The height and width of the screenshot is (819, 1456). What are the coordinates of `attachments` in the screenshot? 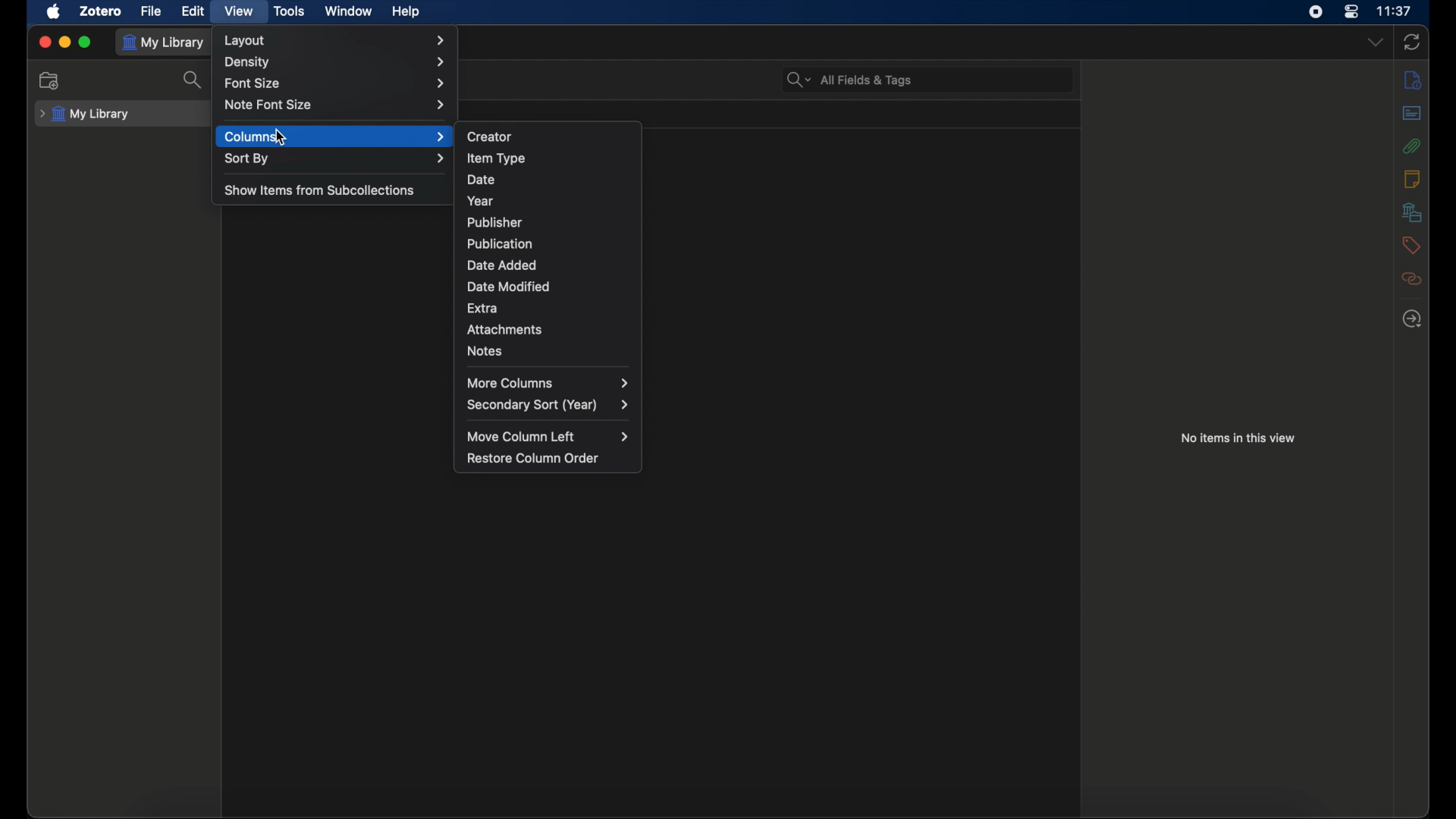 It's located at (508, 330).